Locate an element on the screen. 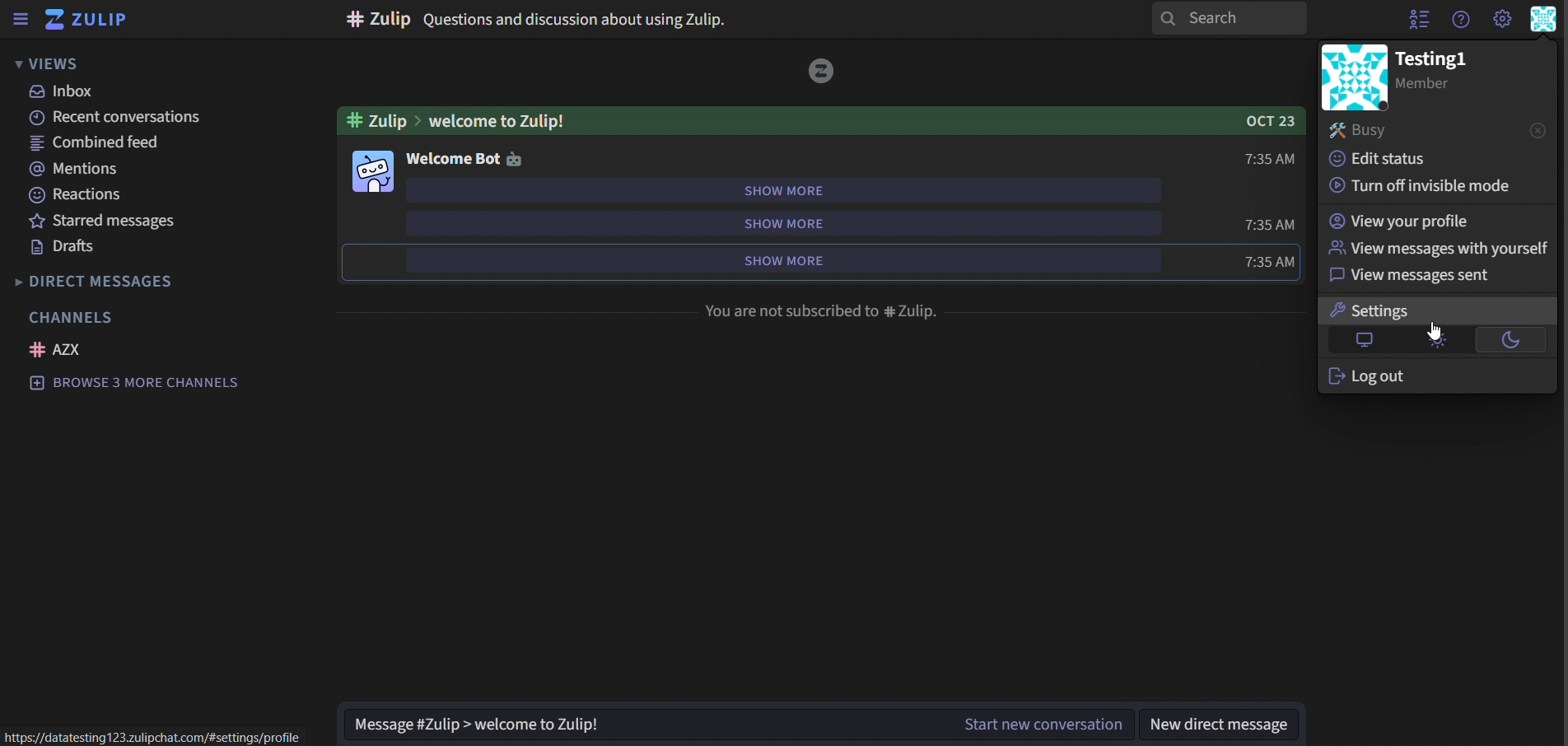 Image resolution: width=1568 pixels, height=746 pixels. channels is located at coordinates (72, 316).